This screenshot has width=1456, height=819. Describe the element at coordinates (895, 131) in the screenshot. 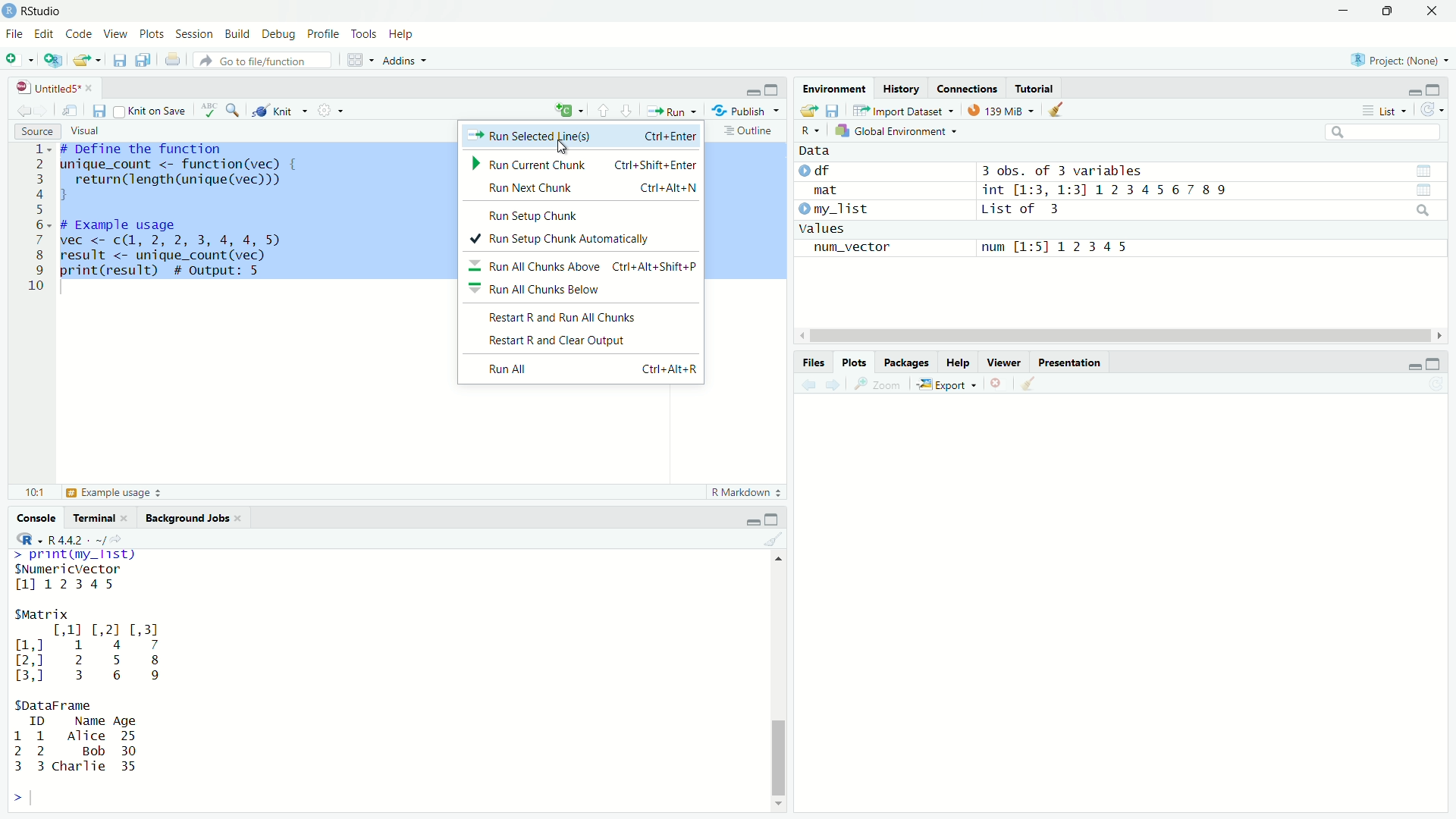

I see `Global Environment` at that location.